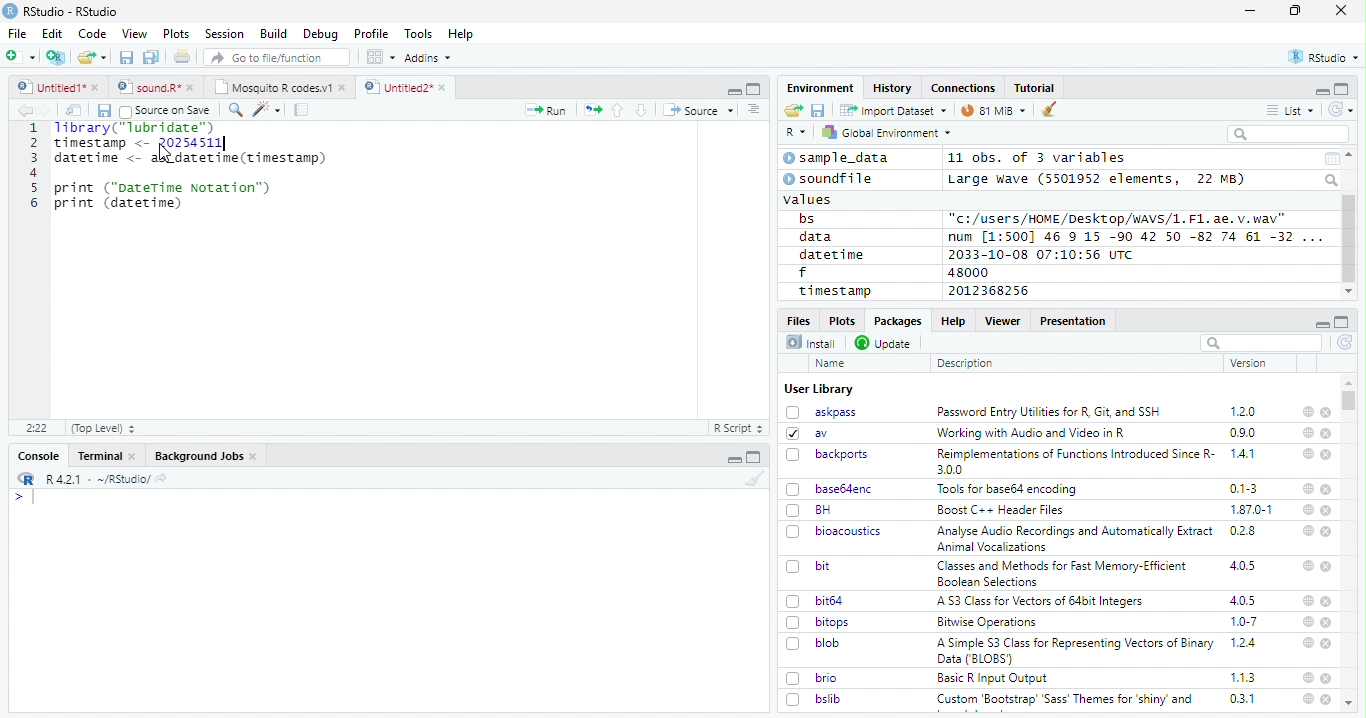 The width and height of the screenshot is (1366, 718). I want to click on help, so click(1307, 411).